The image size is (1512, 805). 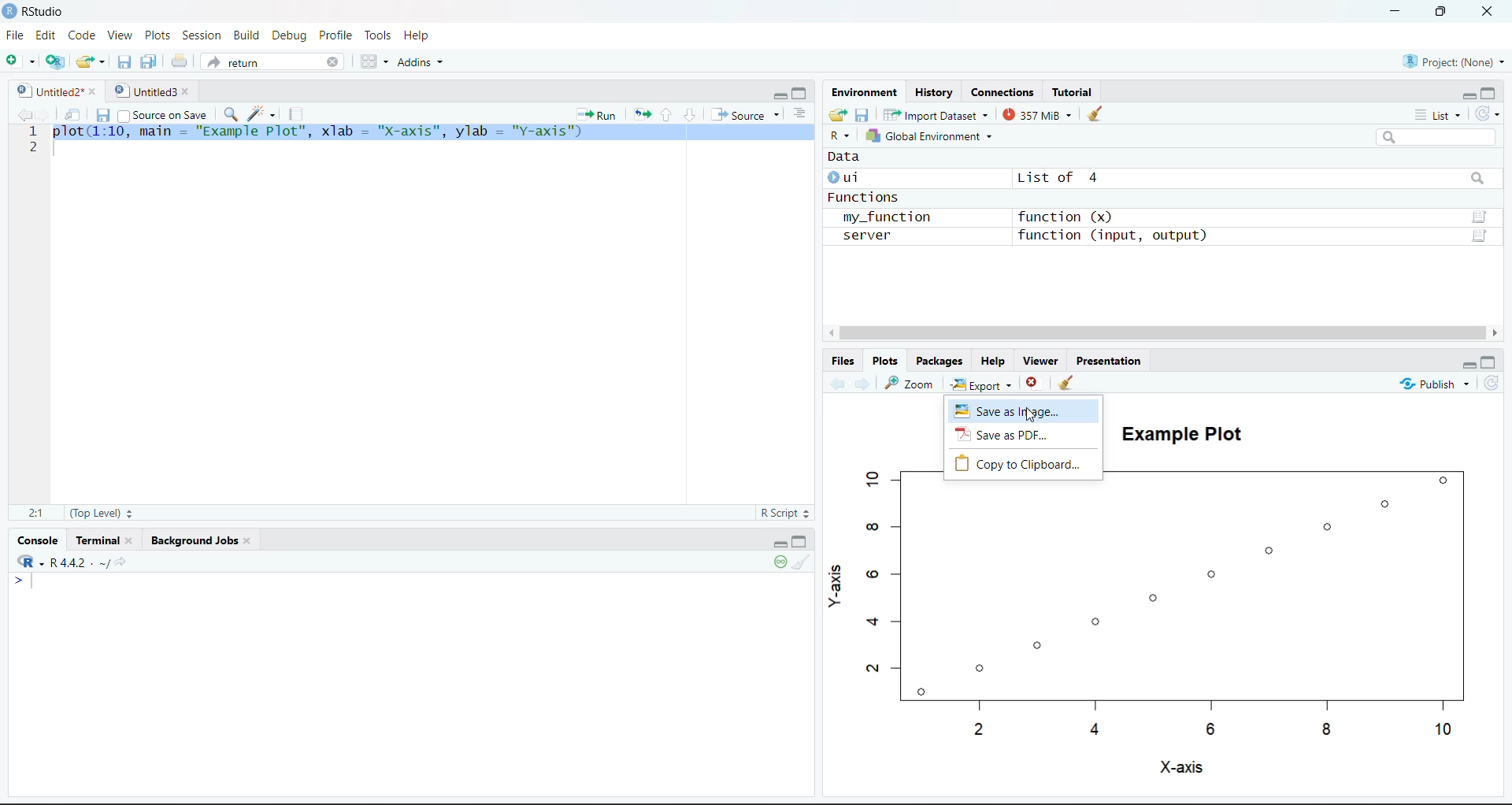 I want to click on Create a project, so click(x=54, y=61).